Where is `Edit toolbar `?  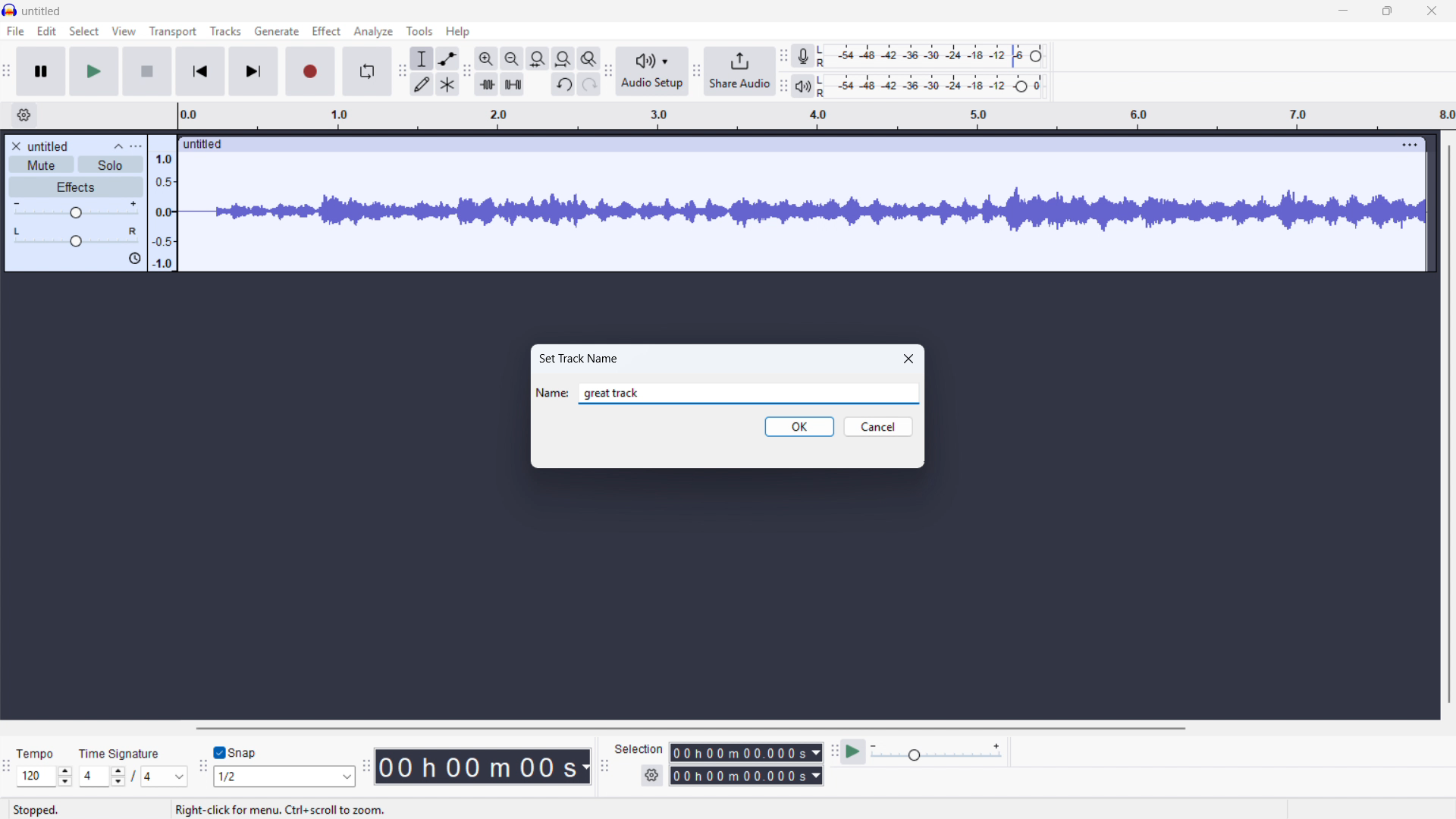 Edit toolbar  is located at coordinates (467, 72).